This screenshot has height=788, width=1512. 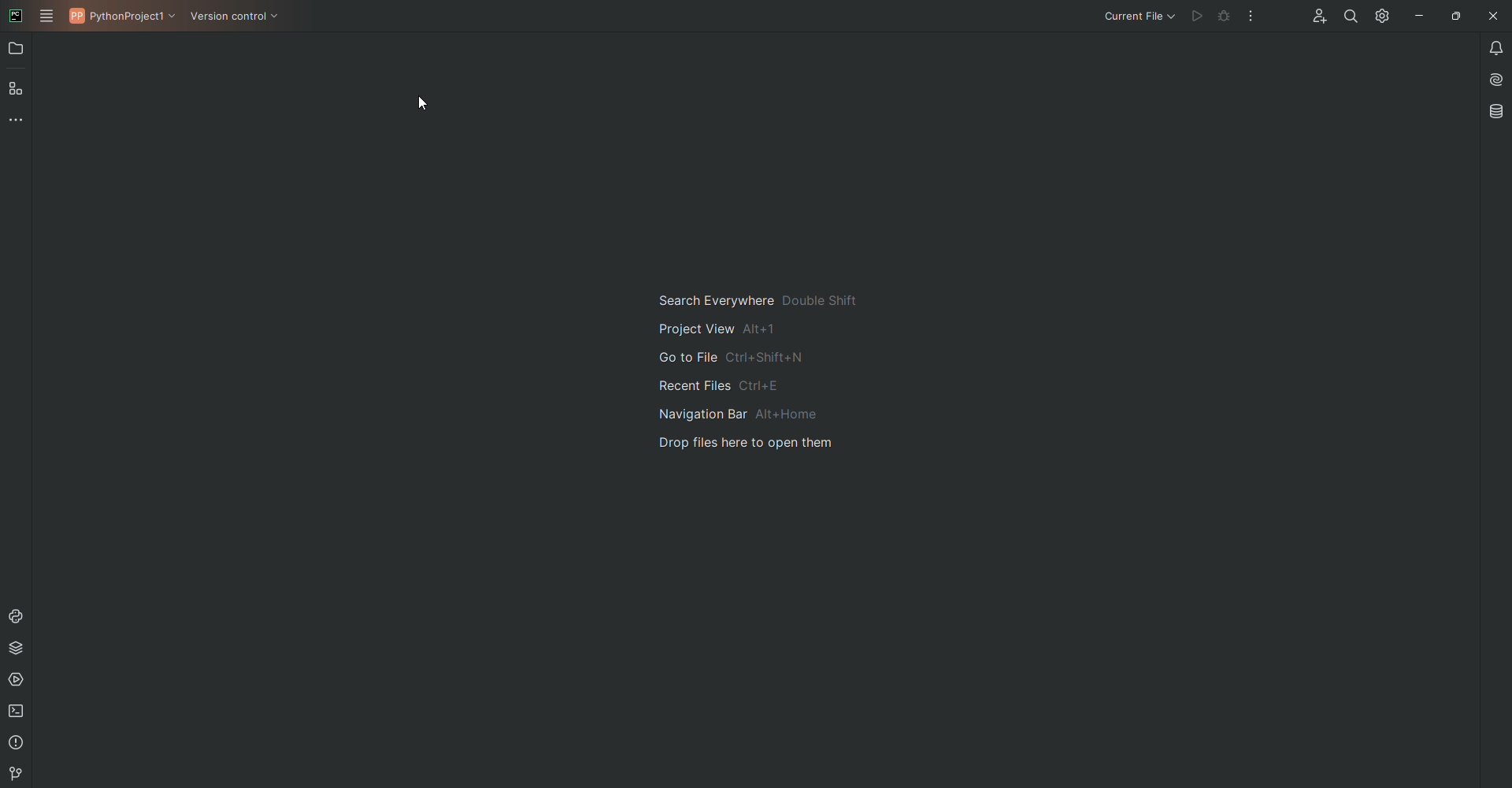 What do you see at coordinates (22, 773) in the screenshot?
I see `Version Control` at bounding box center [22, 773].